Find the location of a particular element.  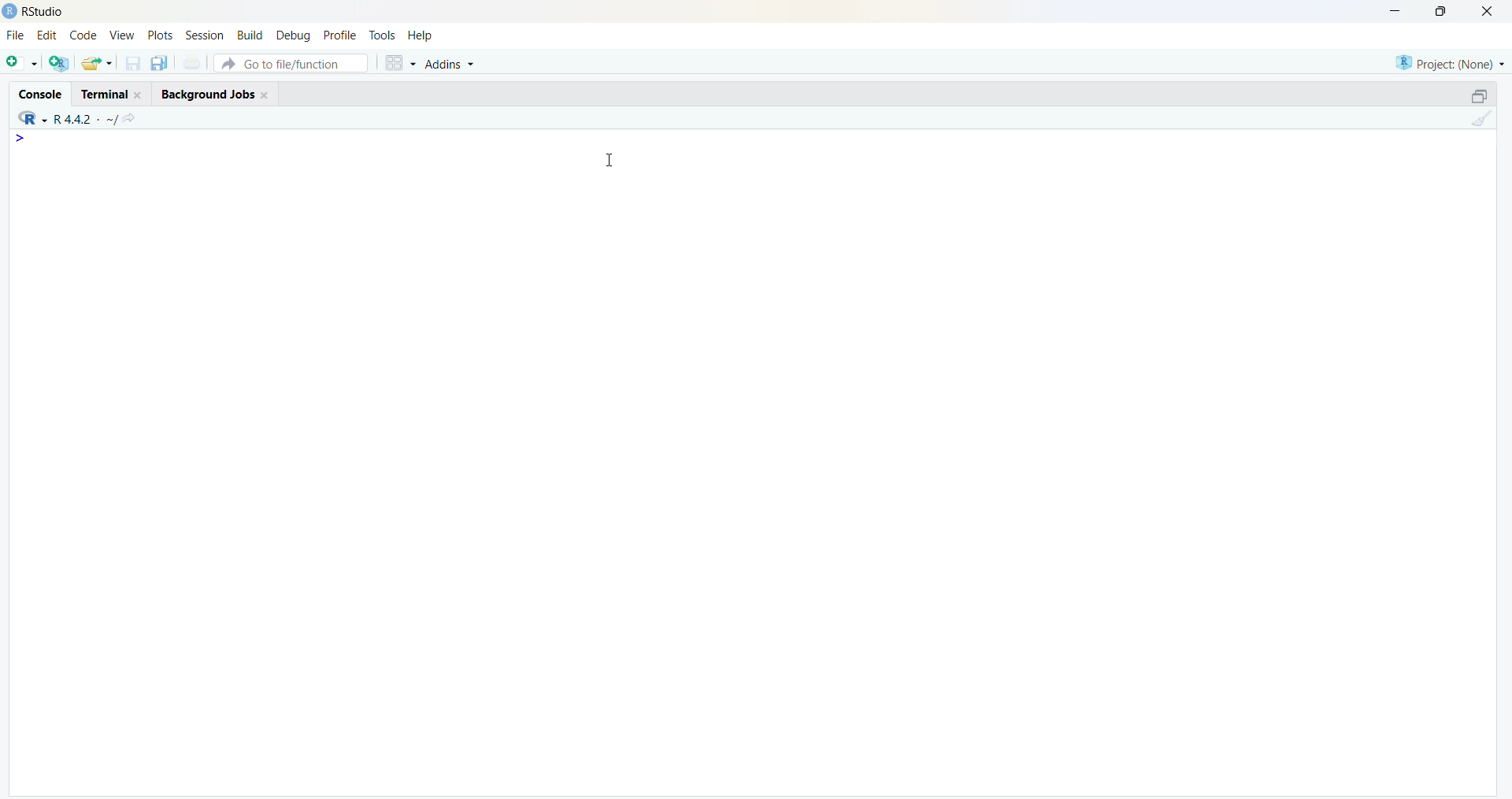

plots is located at coordinates (160, 35).